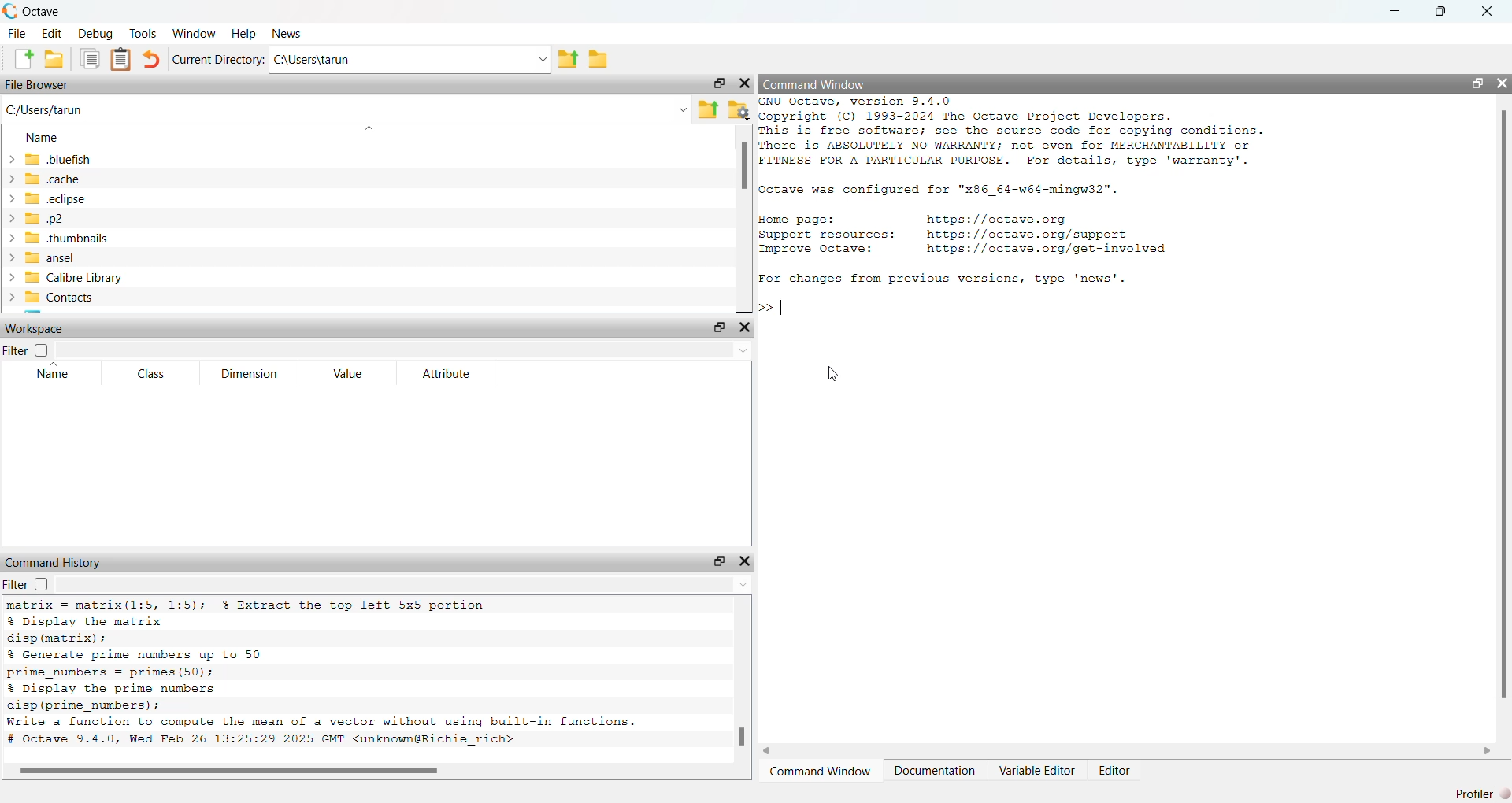  Describe the element at coordinates (27, 349) in the screenshot. I see `filter` at that location.